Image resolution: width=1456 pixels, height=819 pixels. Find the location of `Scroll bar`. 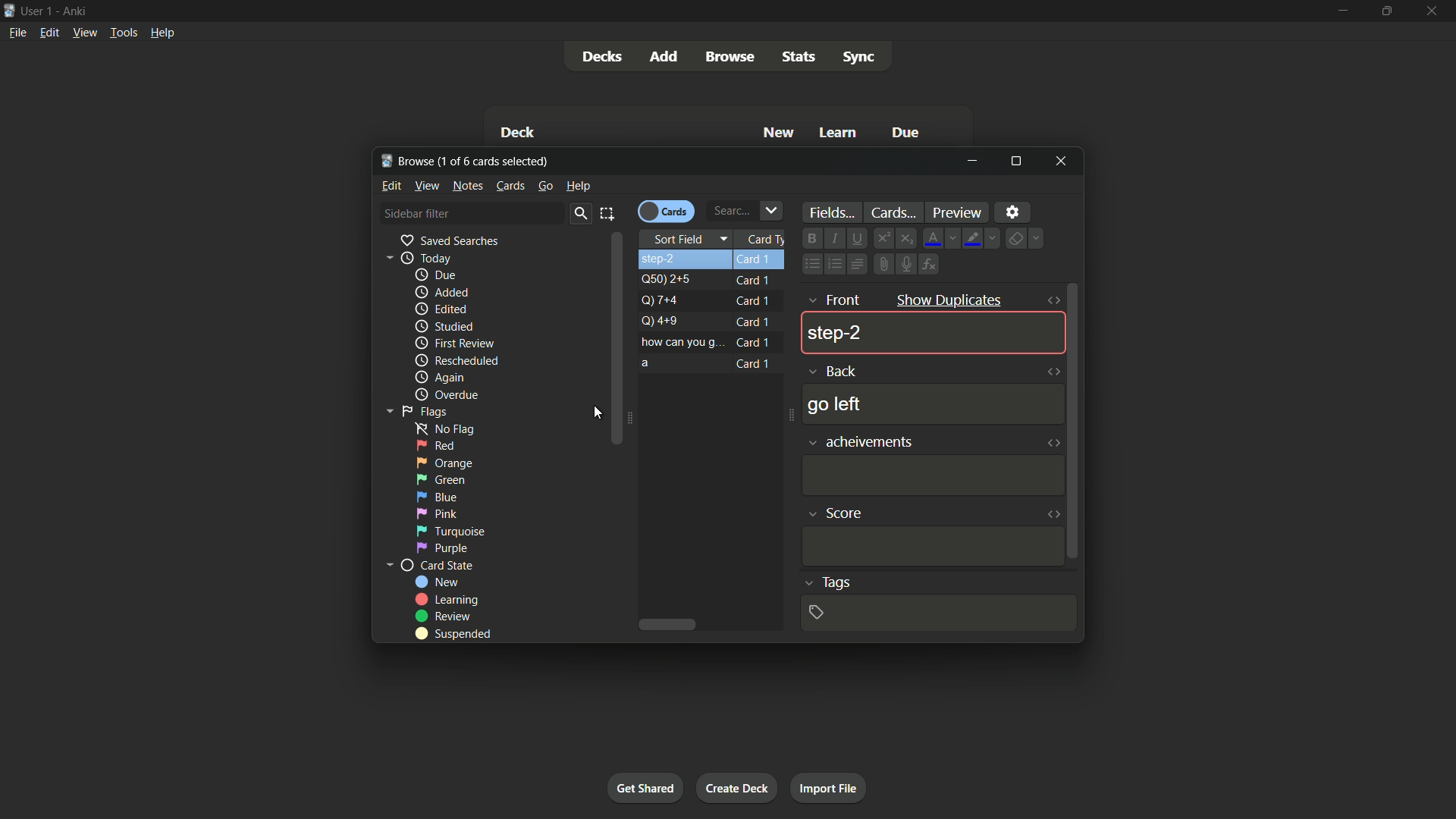

Scroll bar is located at coordinates (1077, 422).